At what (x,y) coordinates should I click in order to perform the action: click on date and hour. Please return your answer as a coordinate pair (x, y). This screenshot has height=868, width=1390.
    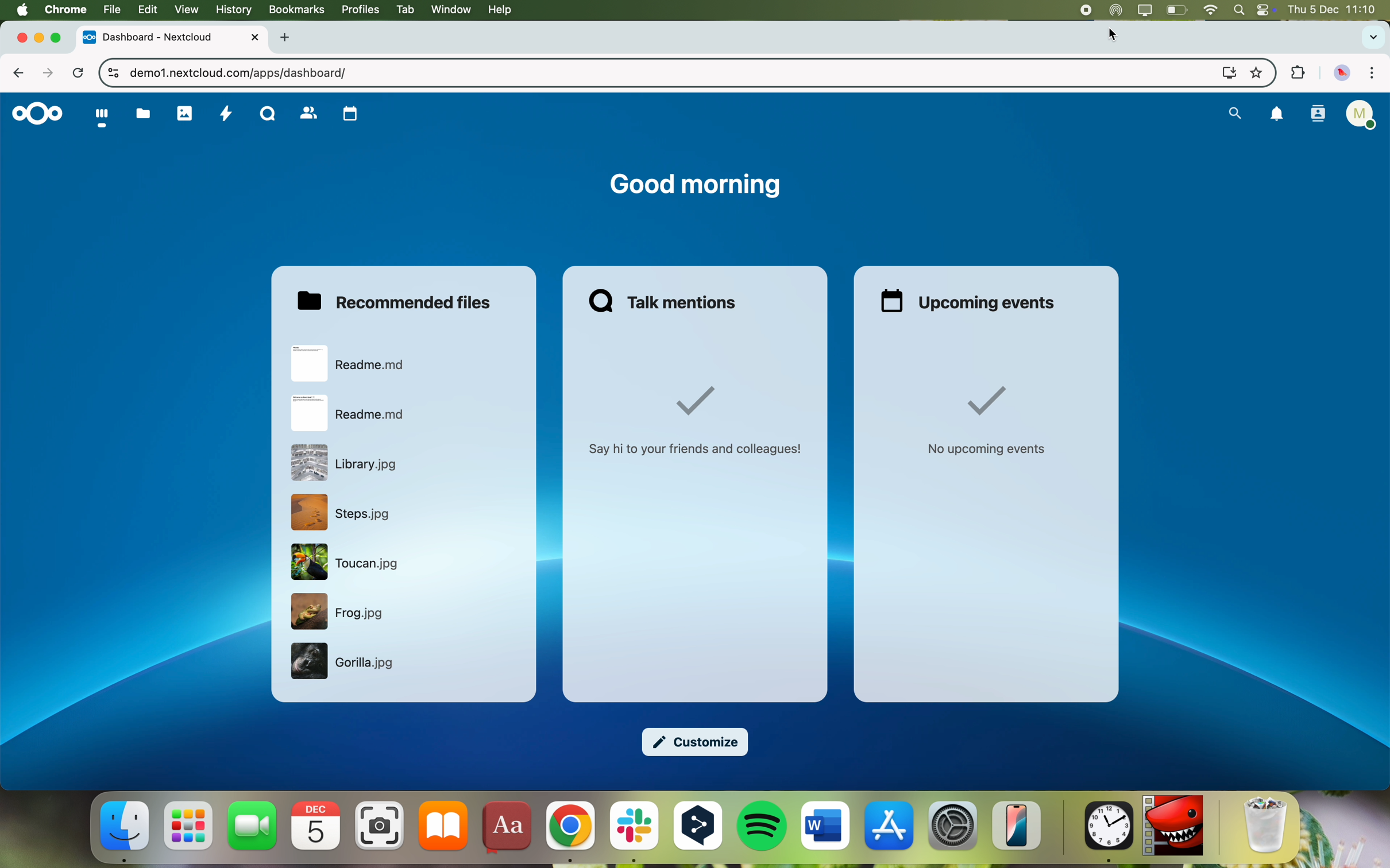
    Looking at the image, I should click on (1337, 10).